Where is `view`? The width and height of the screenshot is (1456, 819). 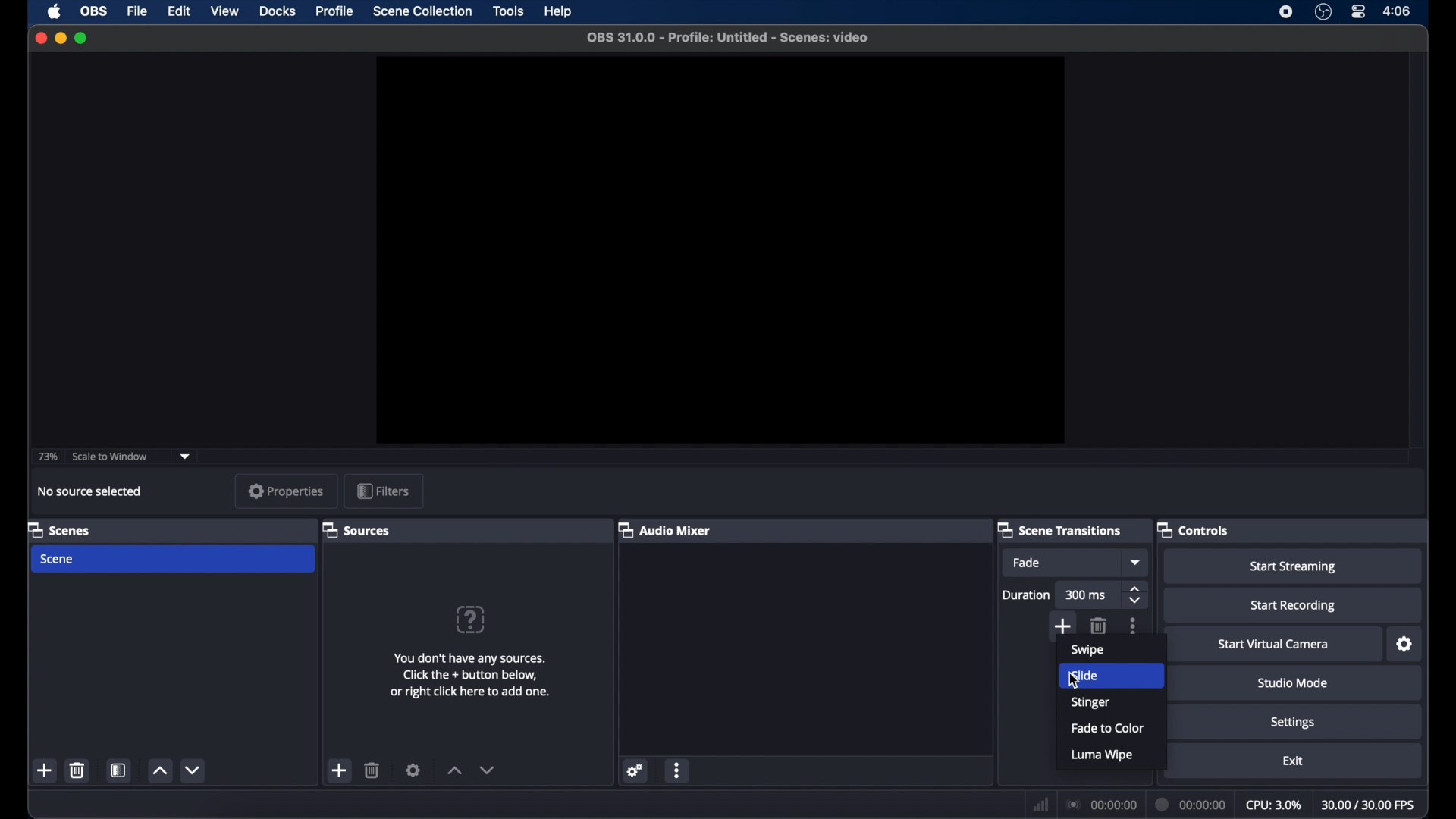 view is located at coordinates (224, 12).